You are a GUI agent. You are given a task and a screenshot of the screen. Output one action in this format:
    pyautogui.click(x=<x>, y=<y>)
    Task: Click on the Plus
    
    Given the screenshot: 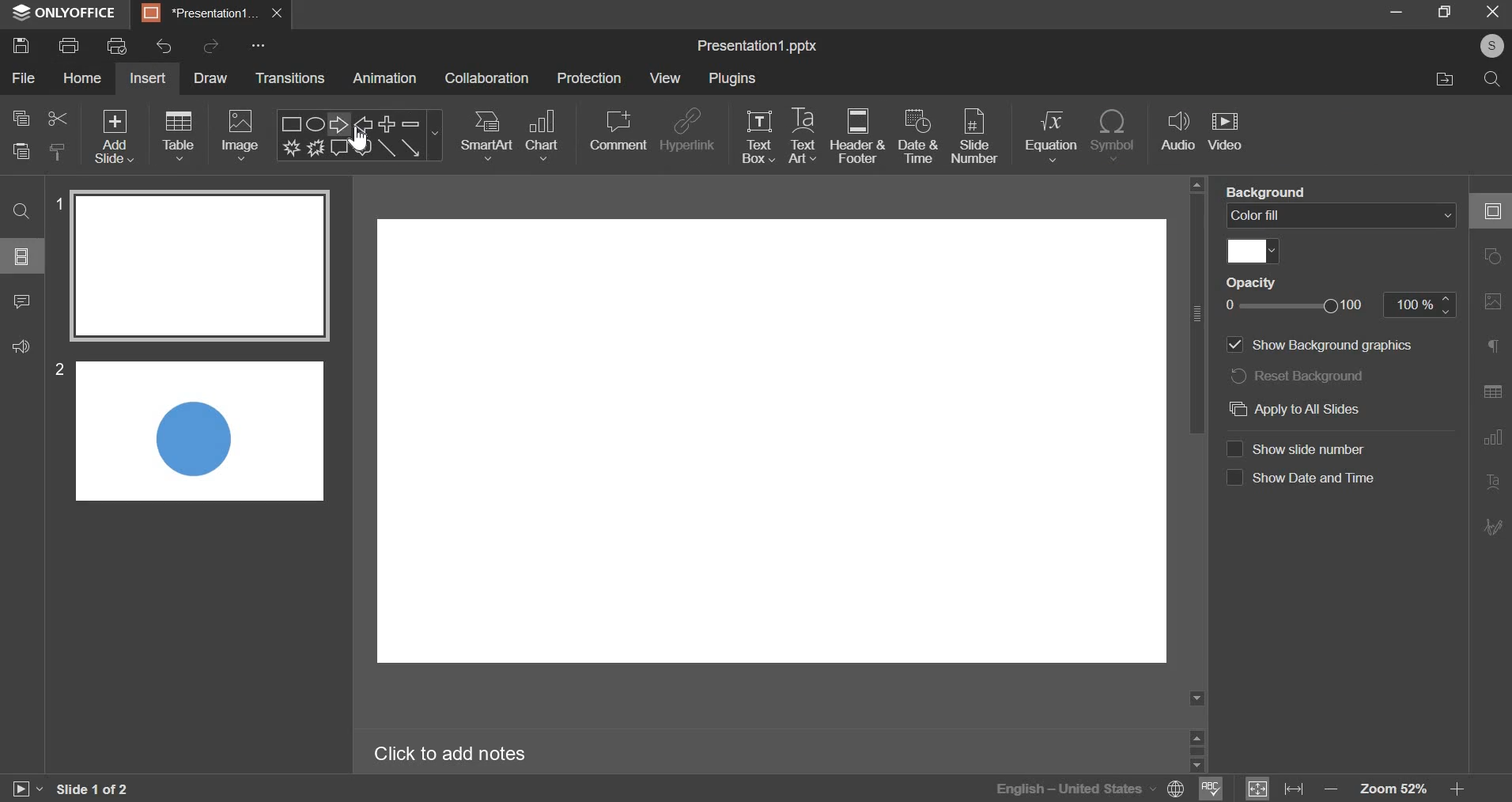 What is the action you would take?
    pyautogui.click(x=387, y=123)
    